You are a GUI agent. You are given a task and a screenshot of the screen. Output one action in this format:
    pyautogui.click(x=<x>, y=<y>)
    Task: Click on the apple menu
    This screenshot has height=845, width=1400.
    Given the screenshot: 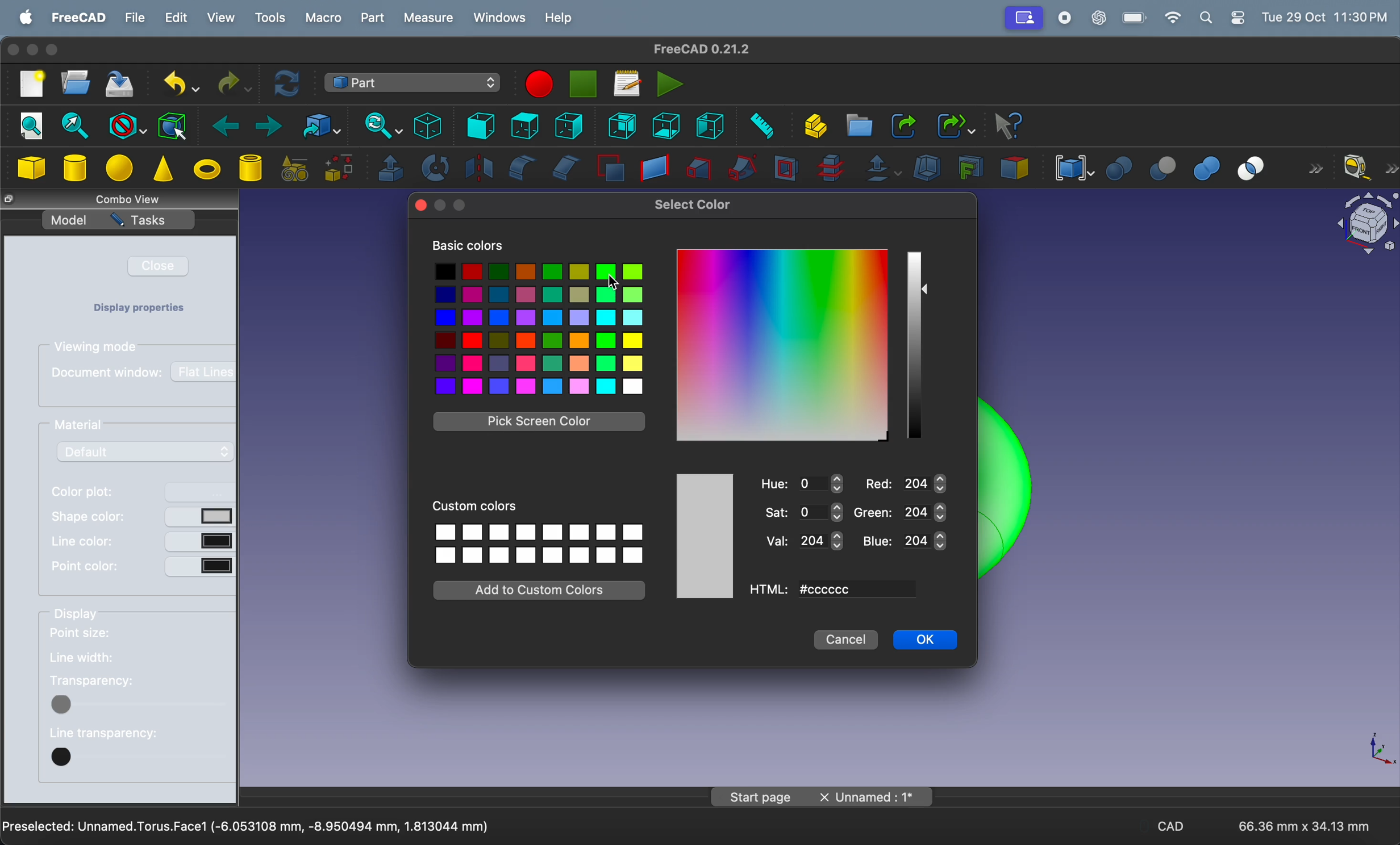 What is the action you would take?
    pyautogui.click(x=22, y=16)
    